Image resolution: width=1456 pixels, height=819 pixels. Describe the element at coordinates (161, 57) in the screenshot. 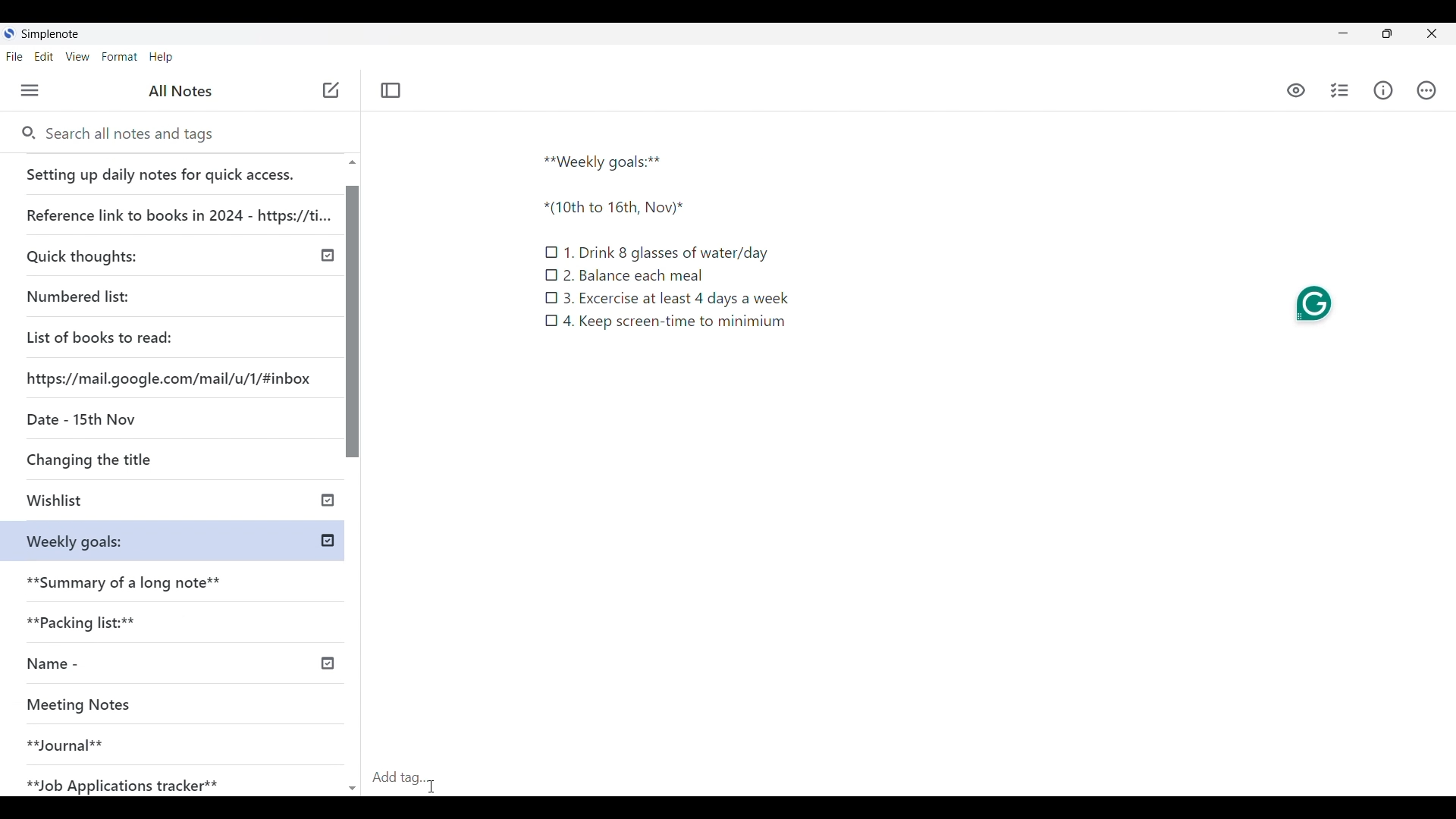

I see `Help menu` at that location.